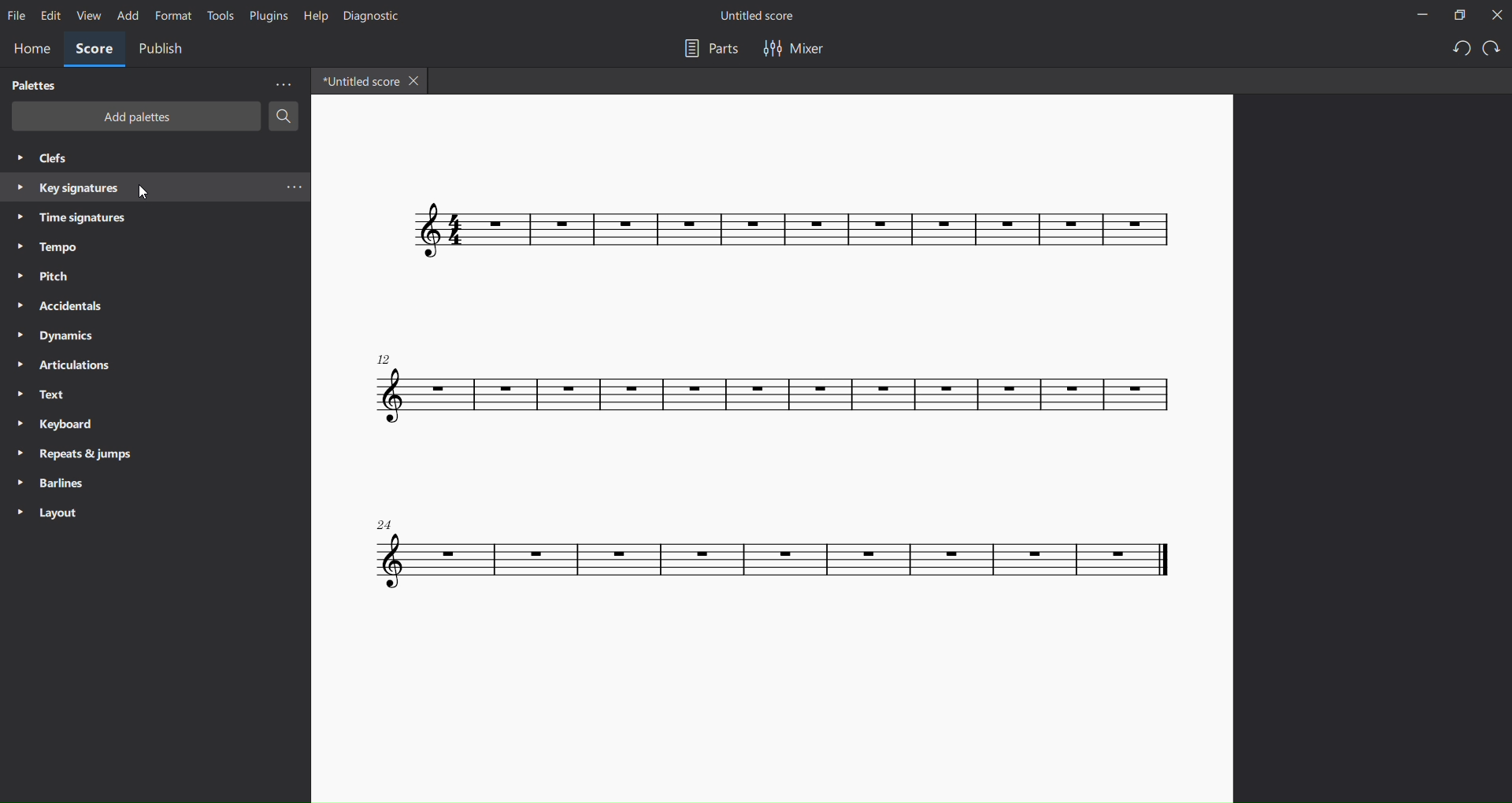 This screenshot has width=1512, height=803. Describe the element at coordinates (45, 245) in the screenshot. I see `tempo` at that location.